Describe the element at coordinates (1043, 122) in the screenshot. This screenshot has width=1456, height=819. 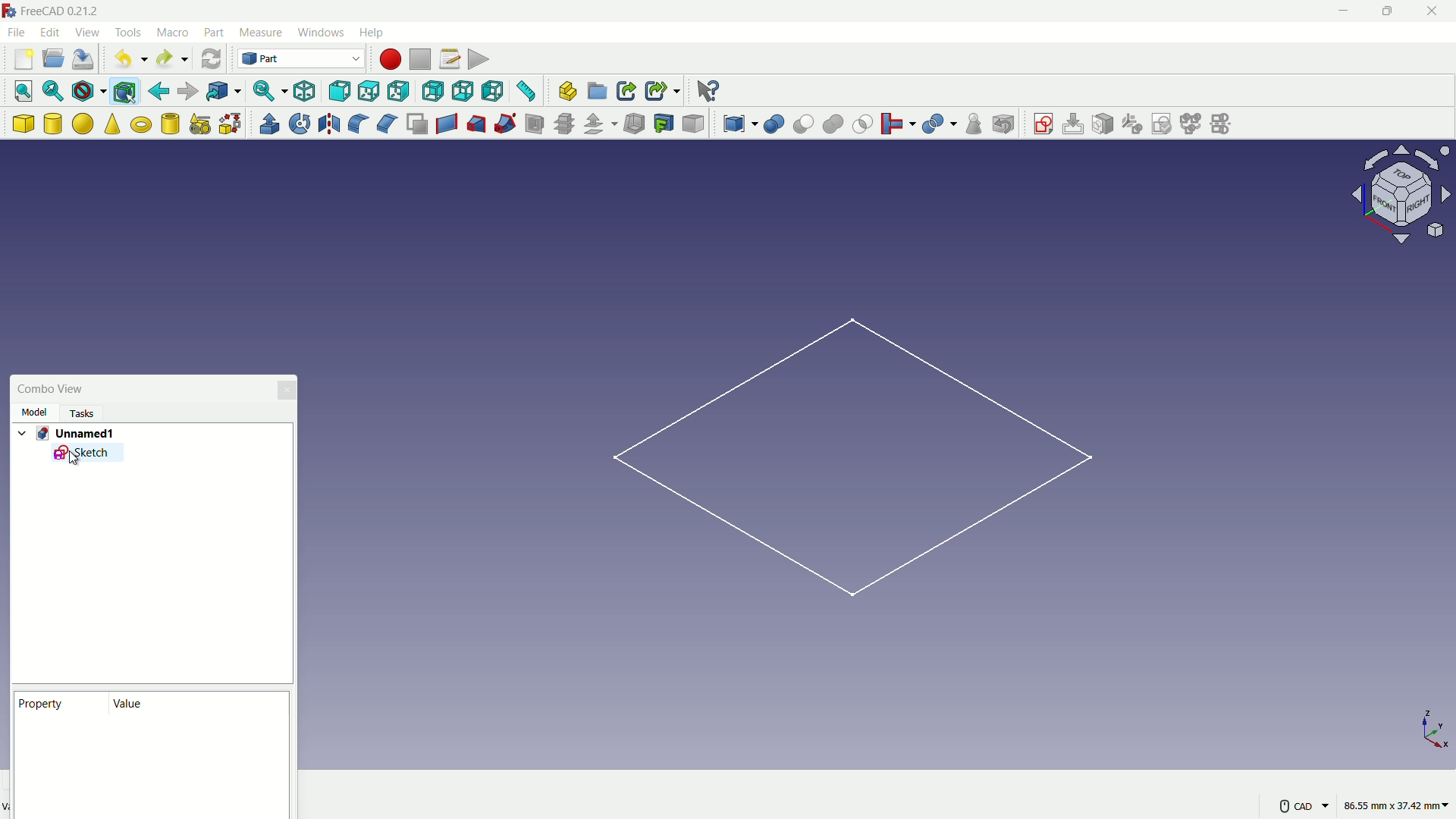
I see `create sketch` at that location.